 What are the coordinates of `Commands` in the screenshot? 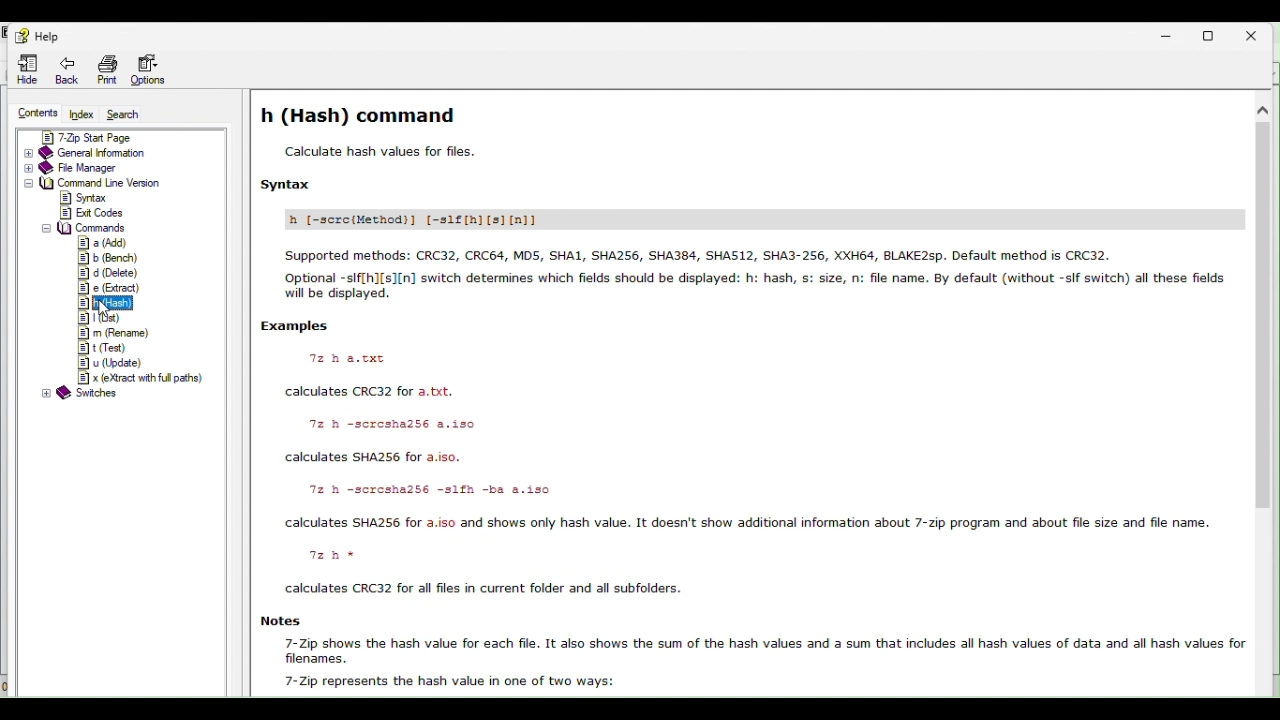 It's located at (85, 228).